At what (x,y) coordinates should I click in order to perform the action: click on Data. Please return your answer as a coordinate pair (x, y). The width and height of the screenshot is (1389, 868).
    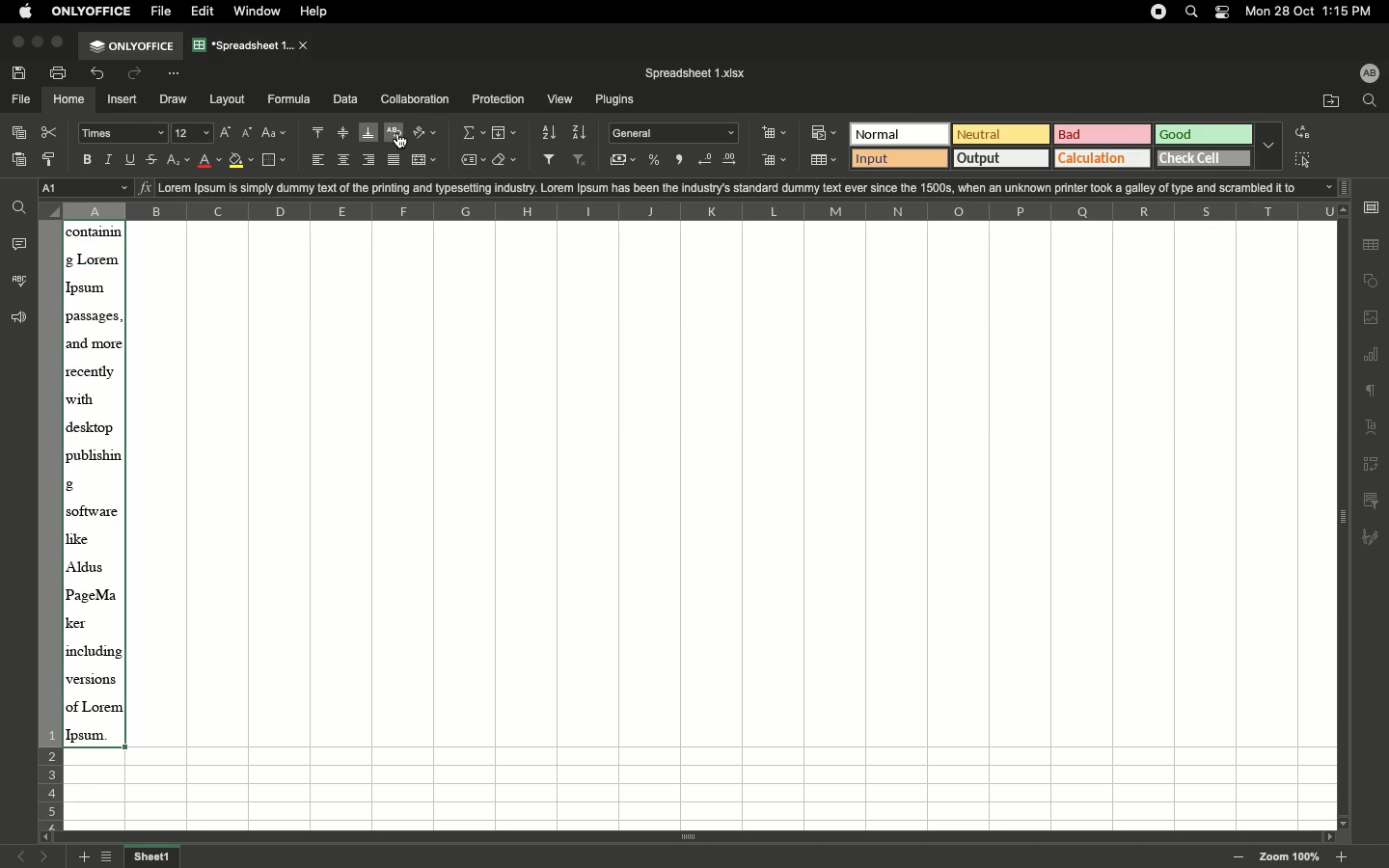
    Looking at the image, I should click on (345, 98).